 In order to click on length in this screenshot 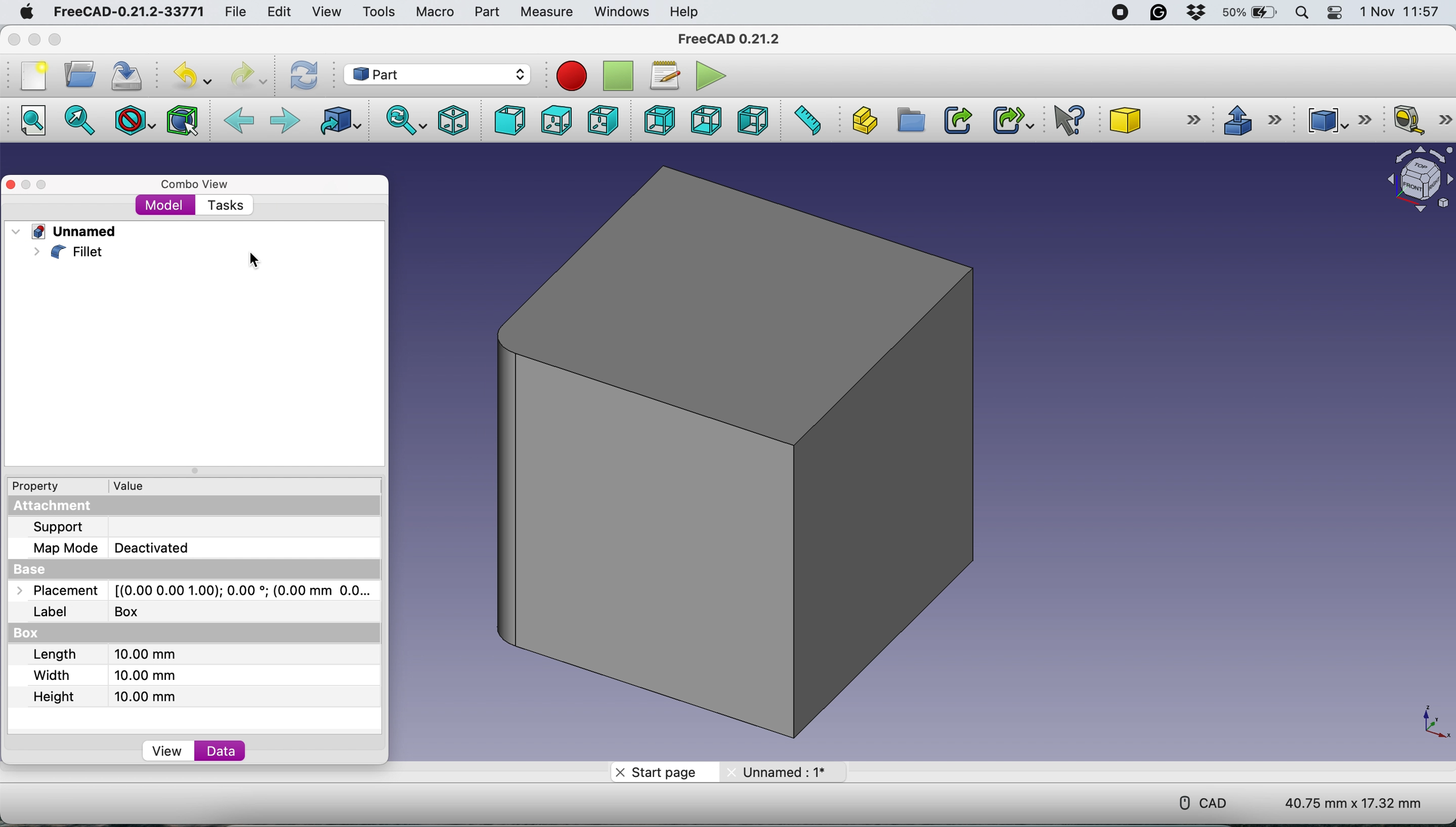, I will do `click(109, 658)`.